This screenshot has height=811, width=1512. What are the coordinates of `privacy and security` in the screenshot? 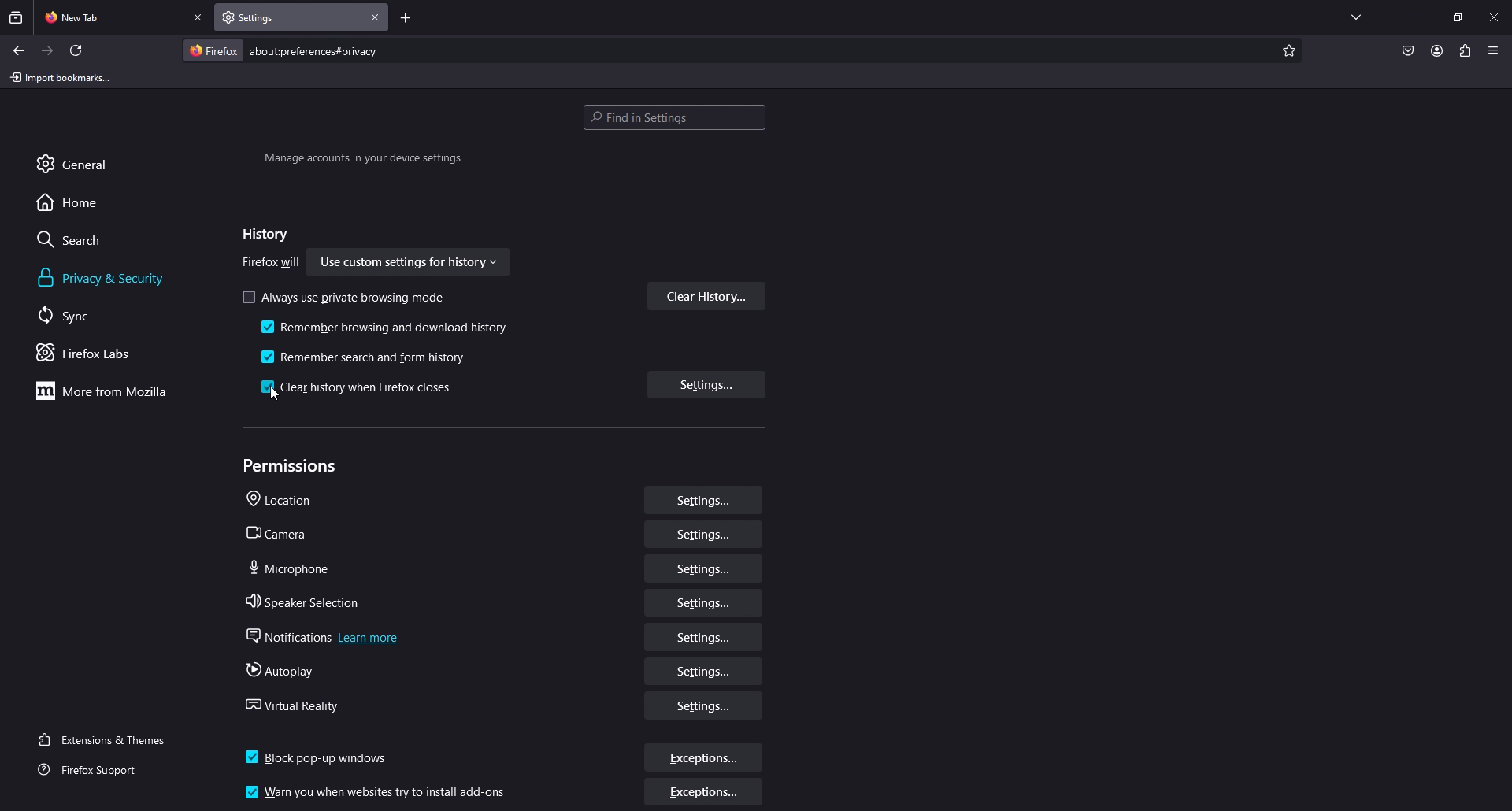 It's located at (105, 278).